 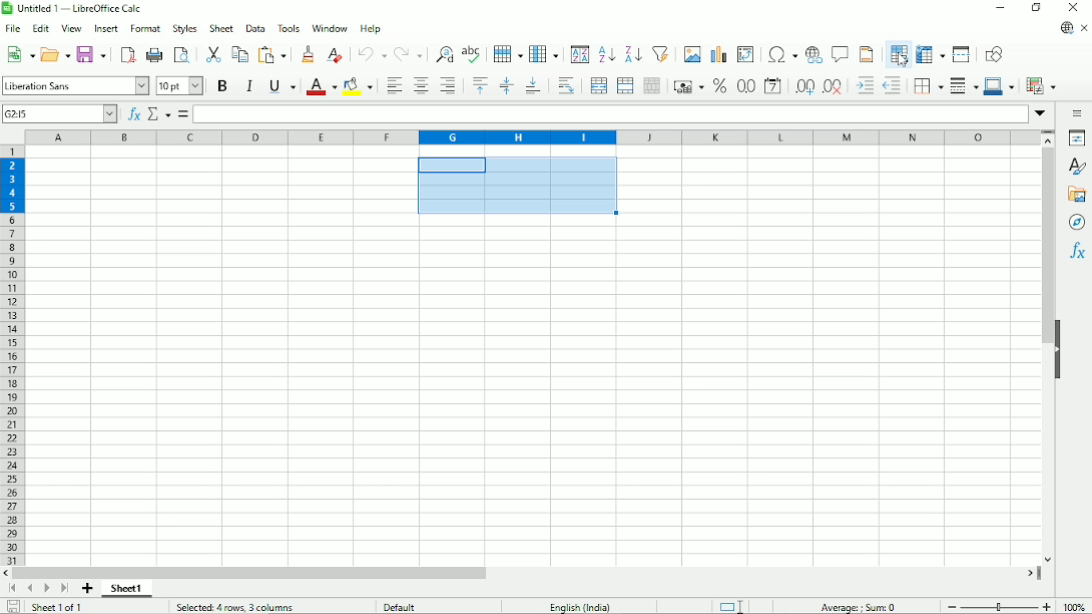 I want to click on Styles, so click(x=184, y=28).